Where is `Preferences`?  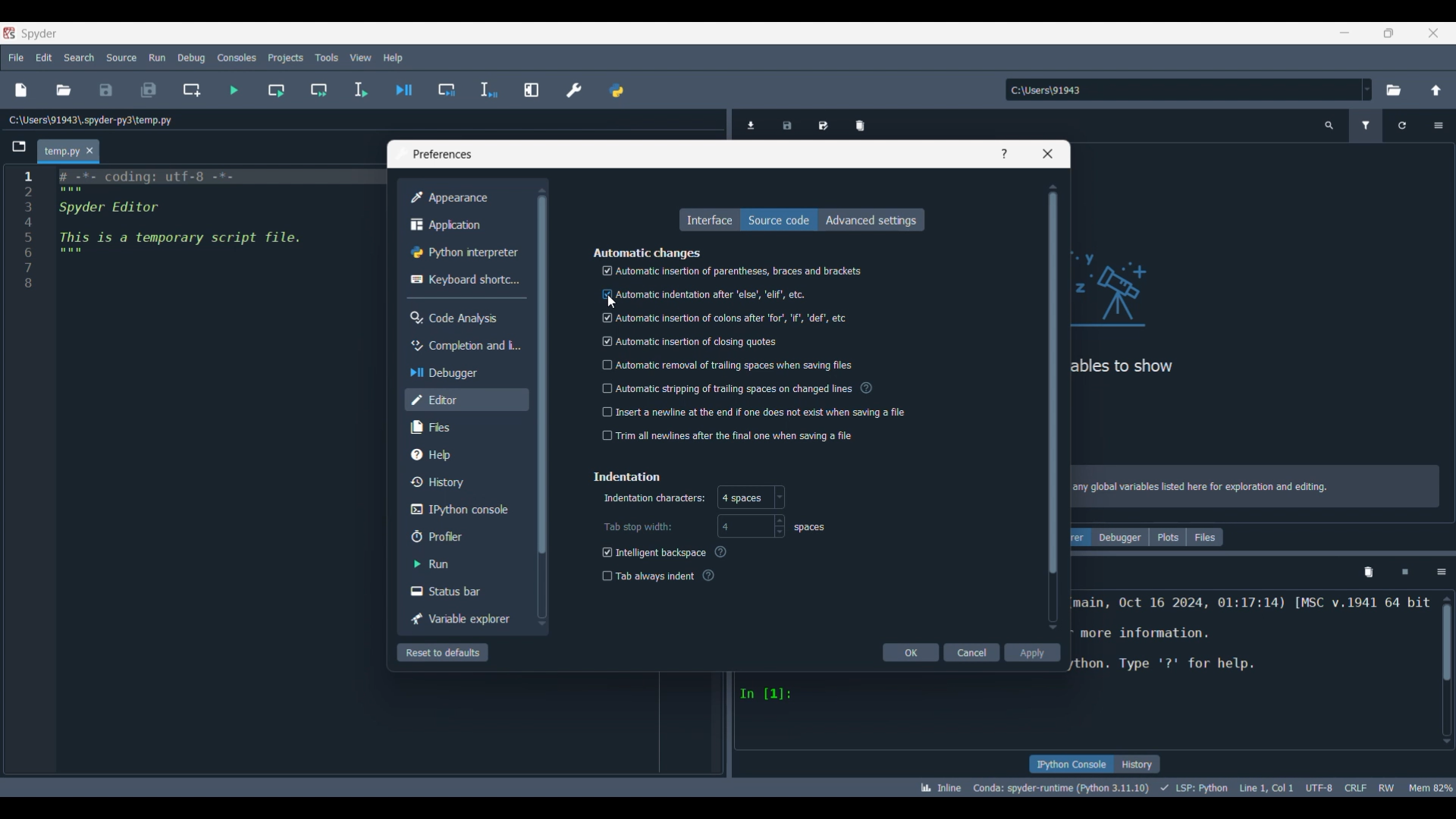 Preferences is located at coordinates (575, 90).